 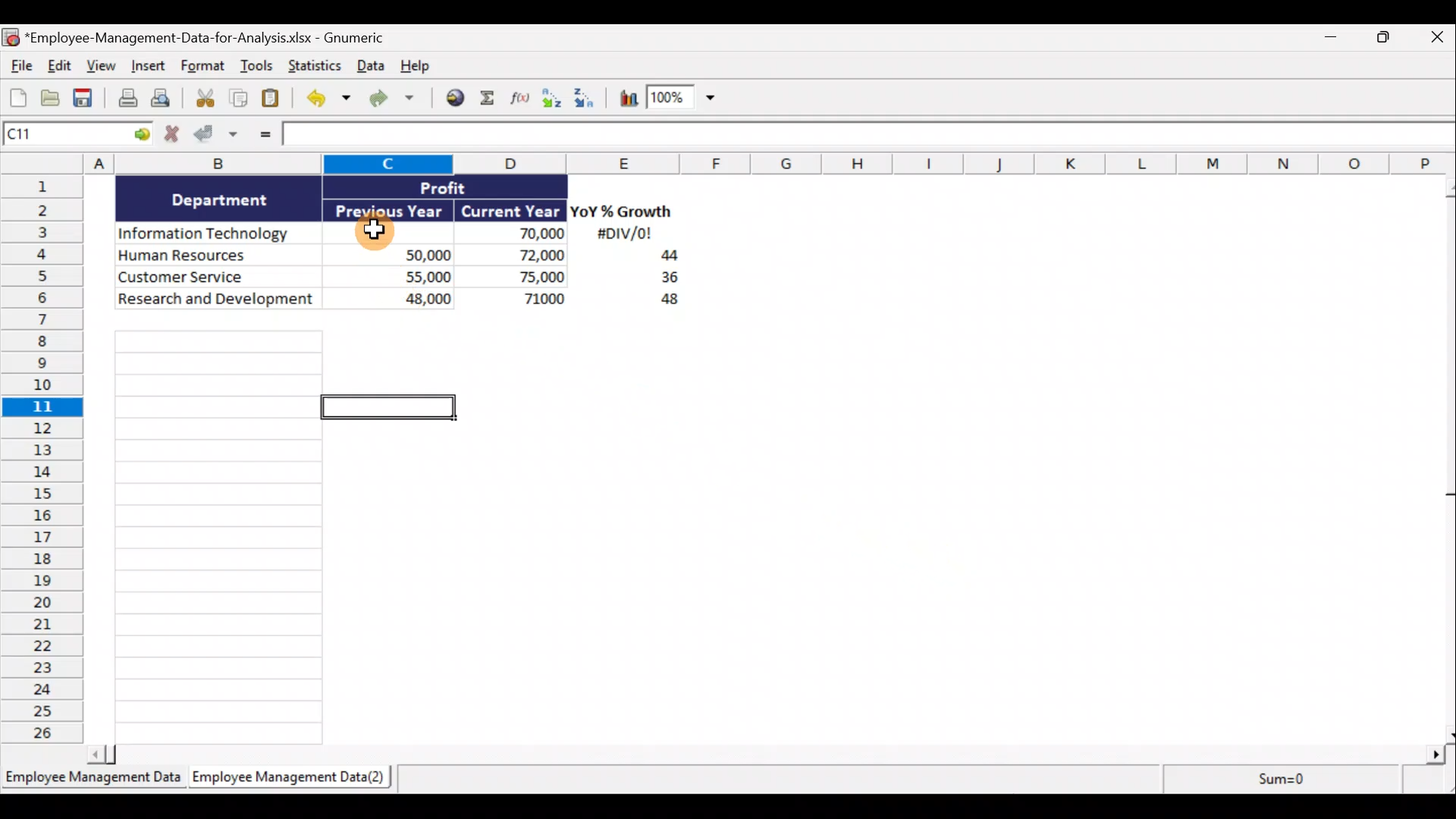 I want to click on Information Technology, so click(x=218, y=234).